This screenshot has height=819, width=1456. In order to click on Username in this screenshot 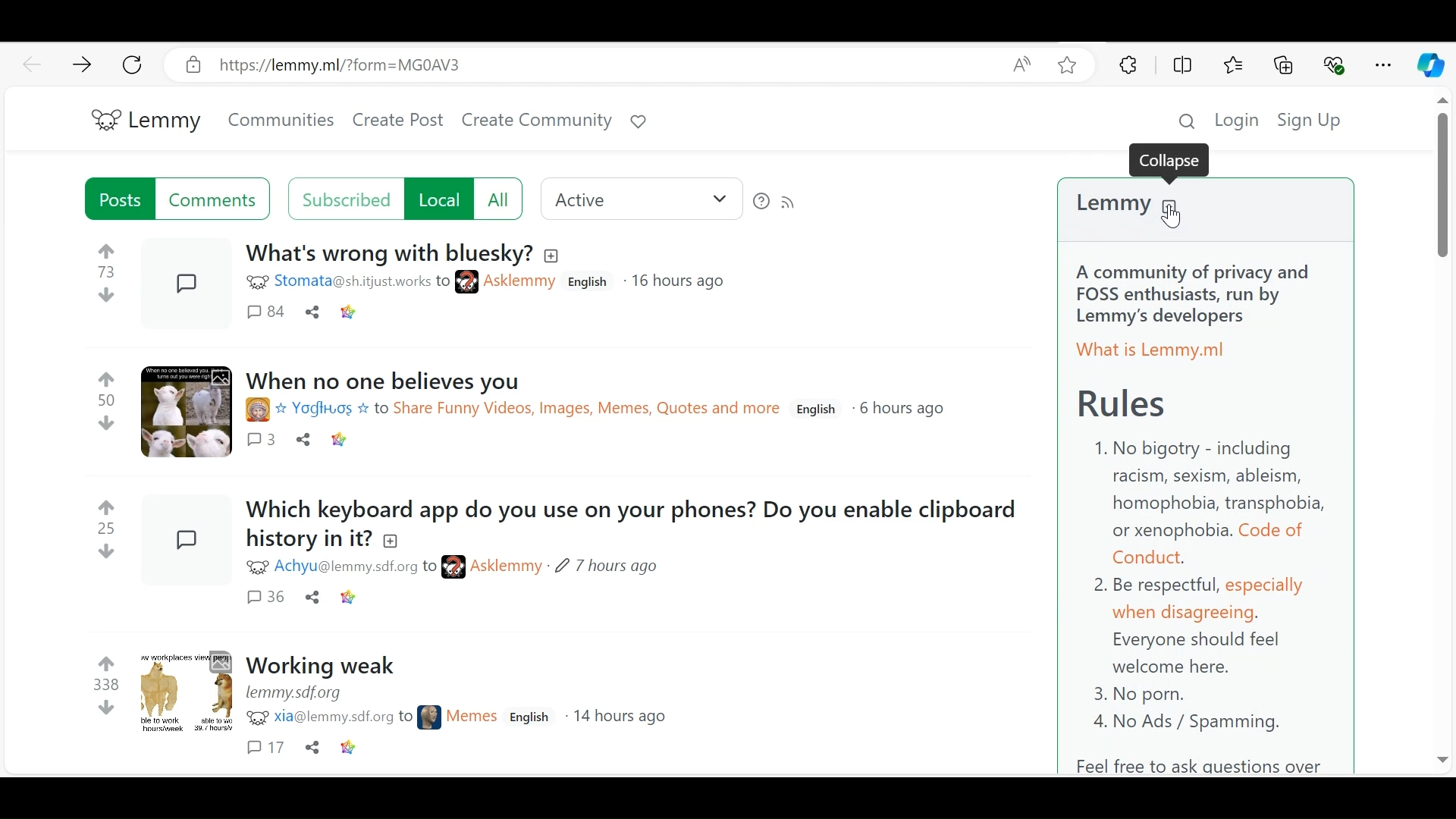, I will do `click(507, 567)`.